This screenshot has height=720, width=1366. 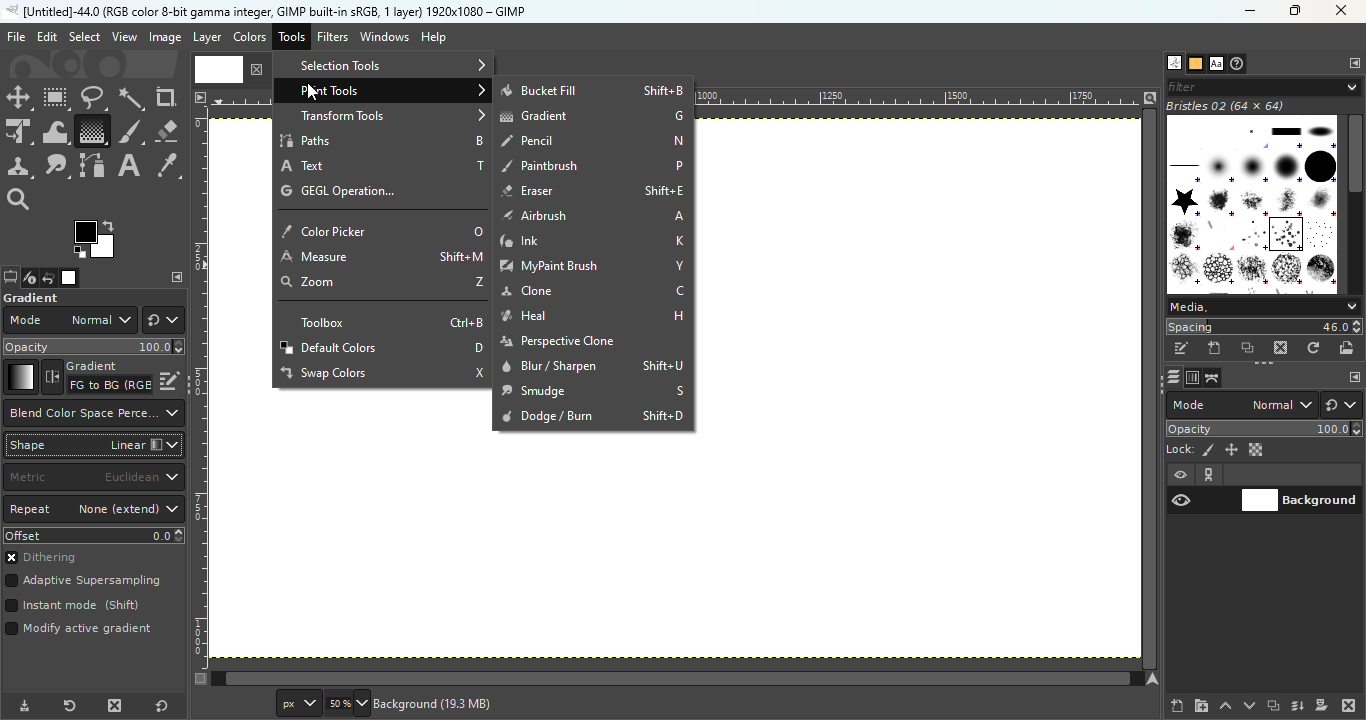 I want to click on The active background color, so click(x=98, y=240).